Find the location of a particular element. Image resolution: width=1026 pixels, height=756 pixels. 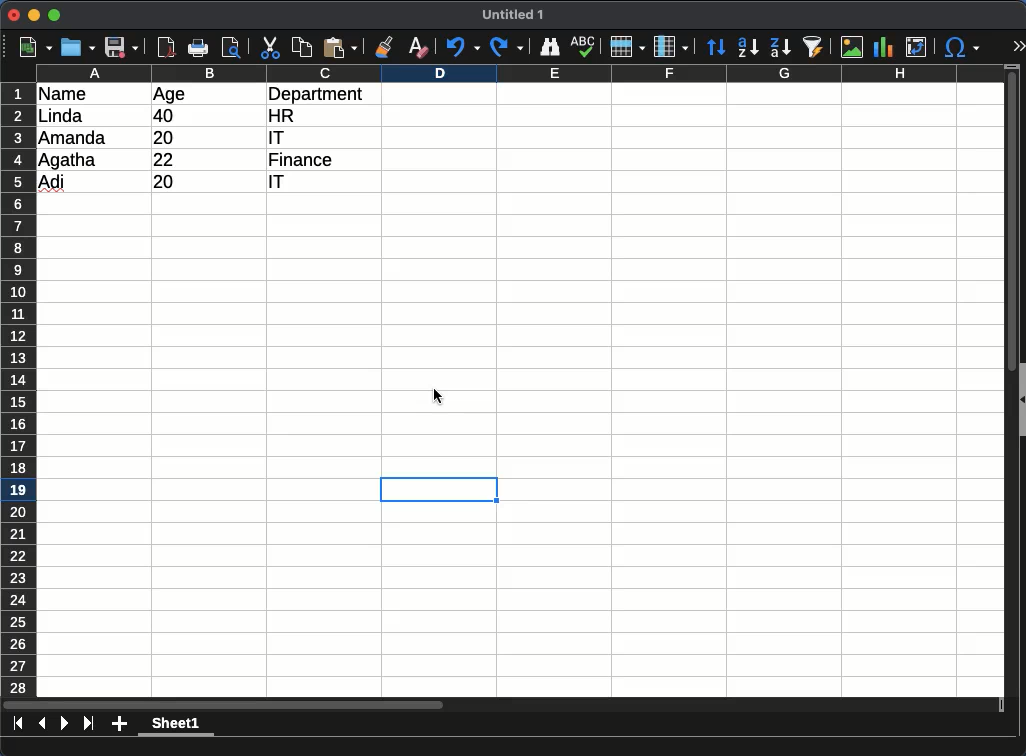

20 is located at coordinates (167, 137).